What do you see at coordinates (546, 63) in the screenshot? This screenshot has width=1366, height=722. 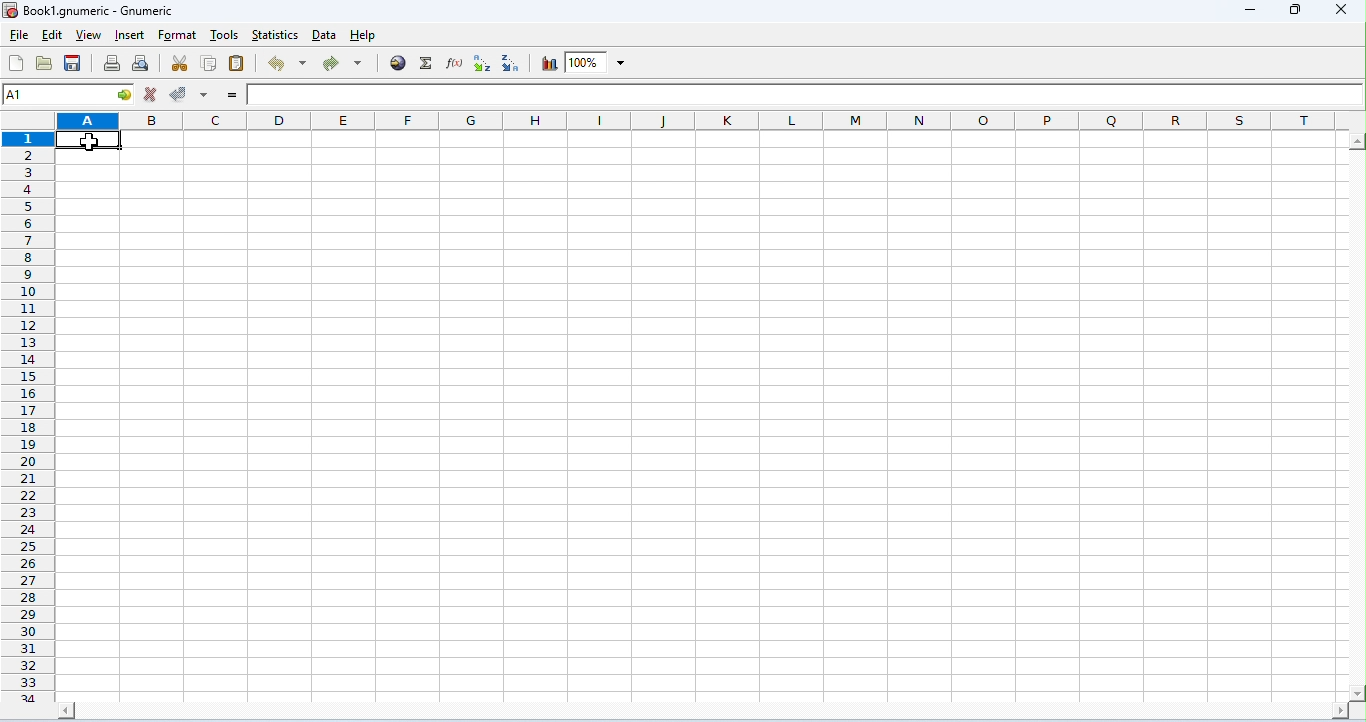 I see `chart` at bounding box center [546, 63].